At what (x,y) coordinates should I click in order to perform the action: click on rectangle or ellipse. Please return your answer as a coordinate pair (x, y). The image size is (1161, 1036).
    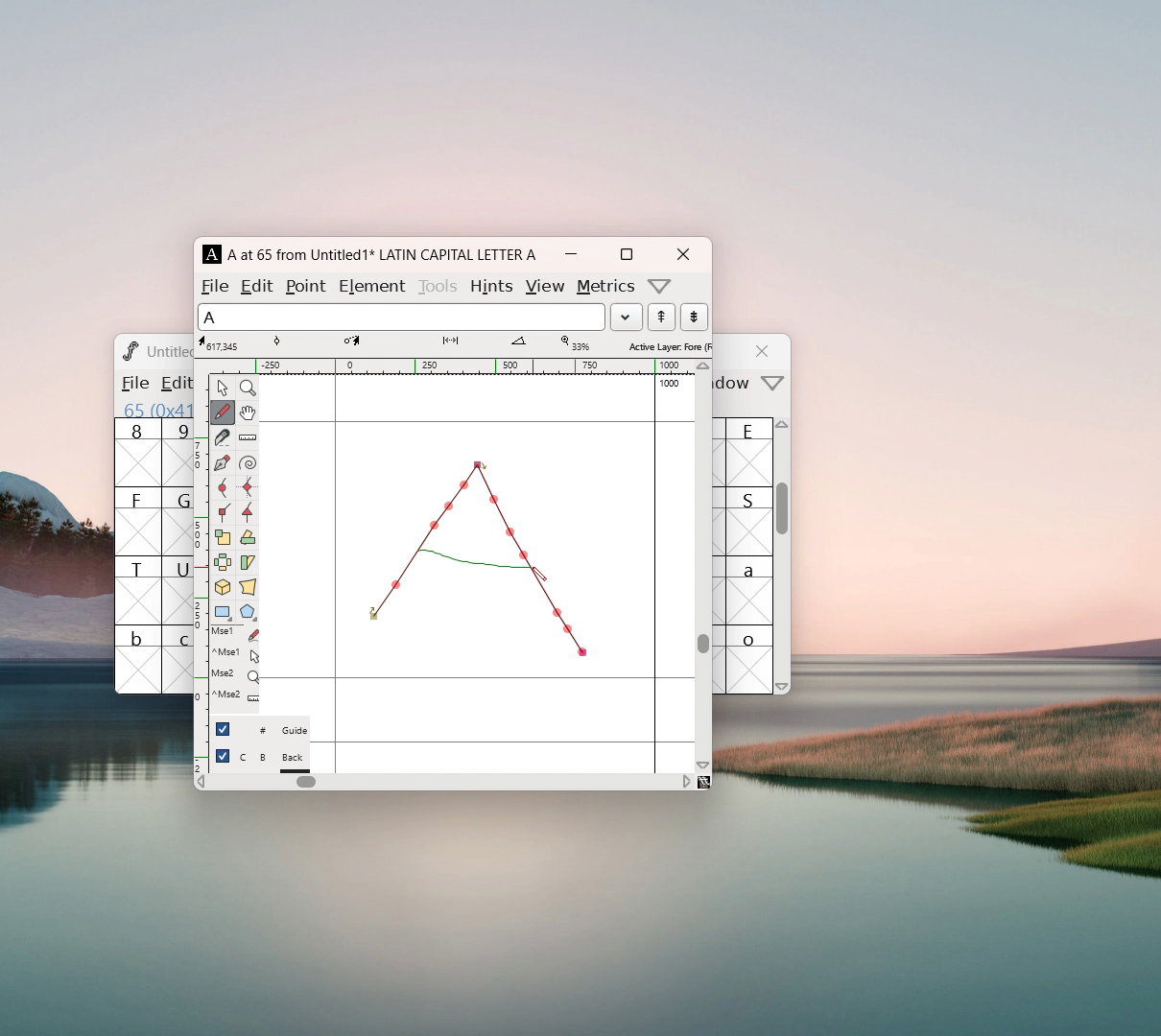
    Looking at the image, I should click on (224, 613).